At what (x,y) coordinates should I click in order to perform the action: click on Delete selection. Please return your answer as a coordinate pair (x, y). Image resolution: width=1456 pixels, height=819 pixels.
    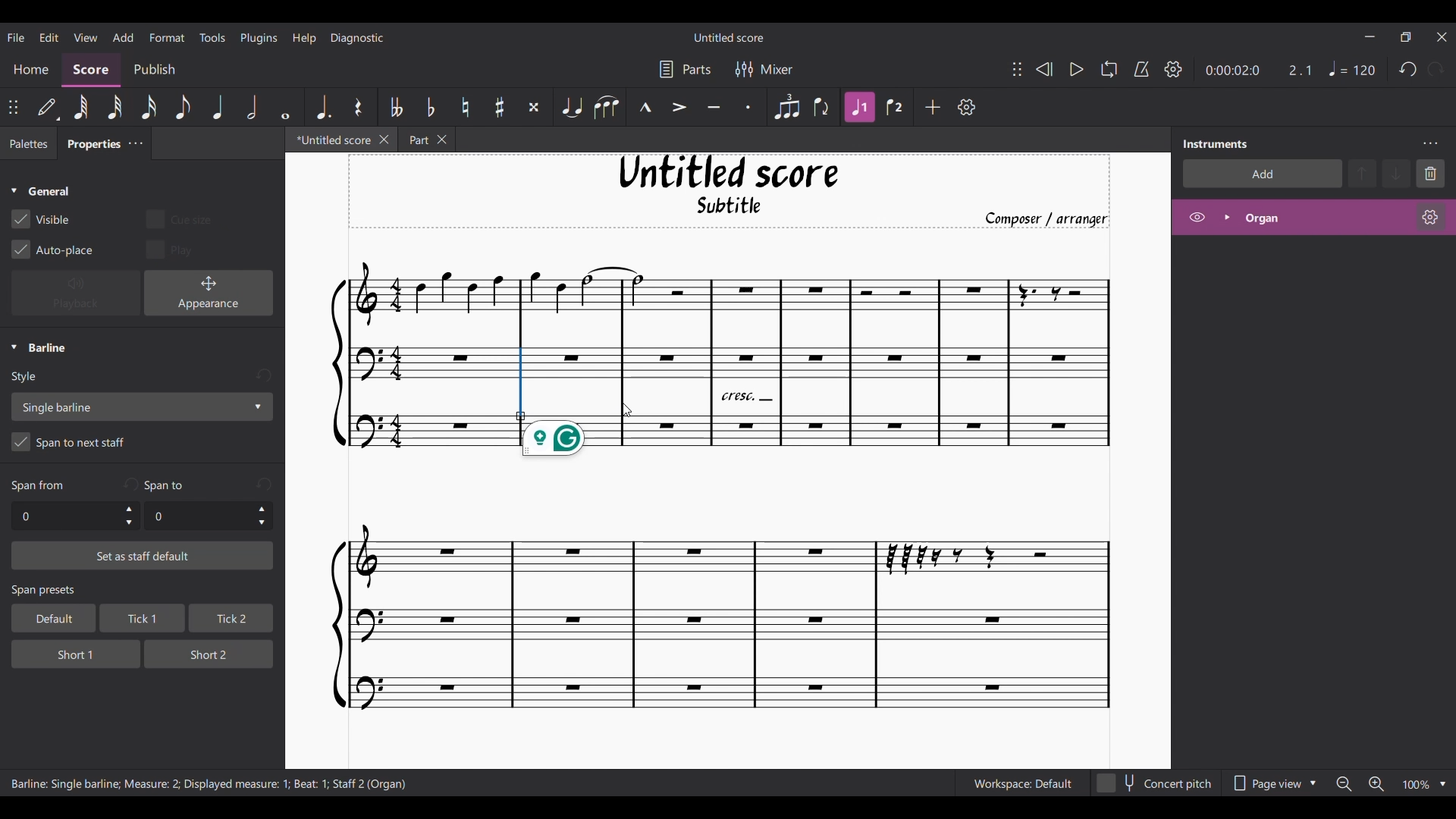
    Looking at the image, I should click on (1431, 173).